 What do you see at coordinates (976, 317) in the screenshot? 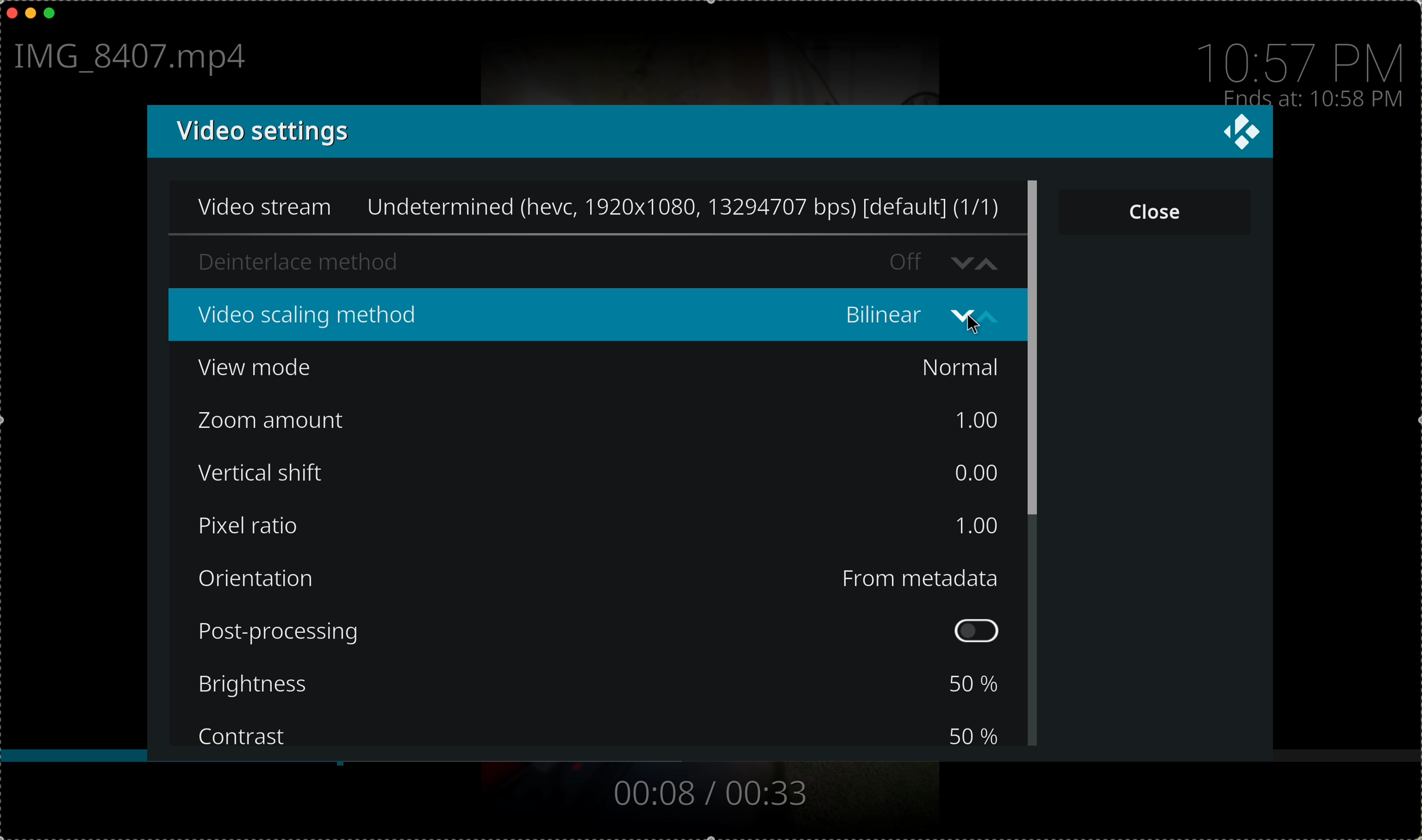
I see `change value` at bounding box center [976, 317].